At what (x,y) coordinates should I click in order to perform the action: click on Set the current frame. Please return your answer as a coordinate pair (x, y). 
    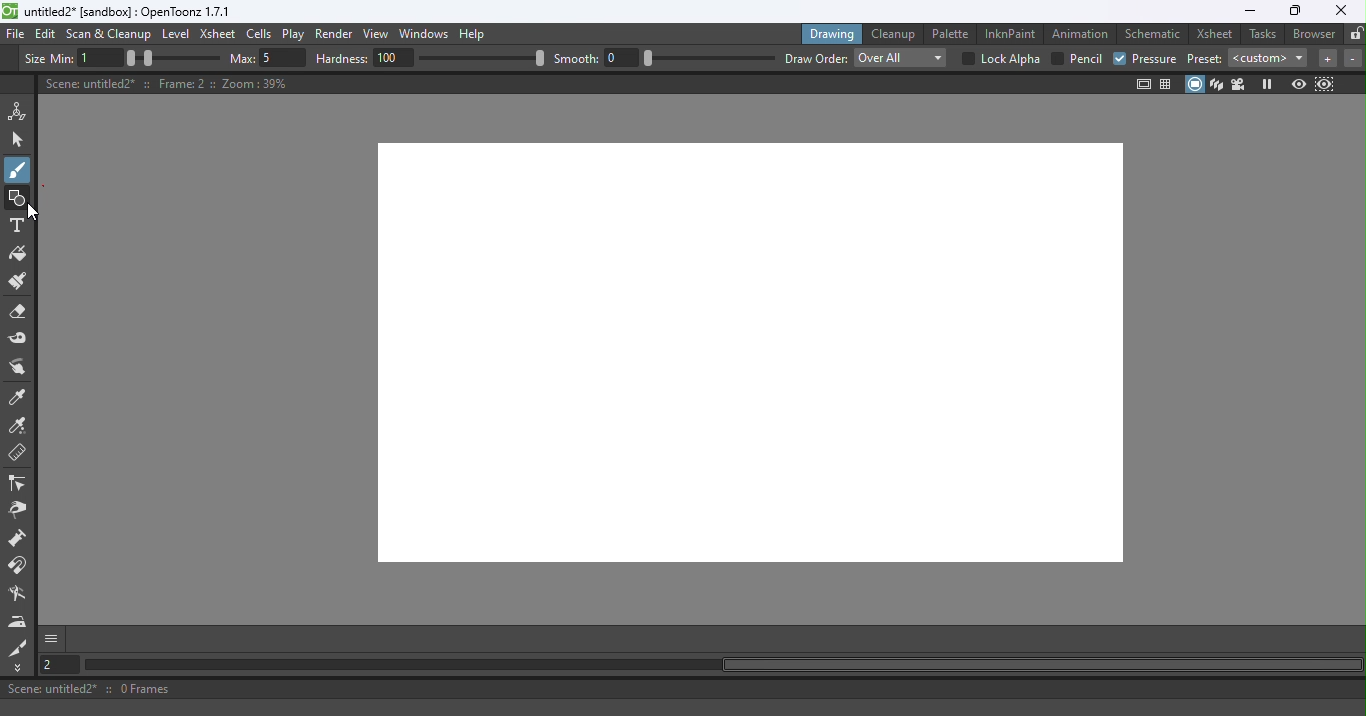
    Looking at the image, I should click on (57, 664).